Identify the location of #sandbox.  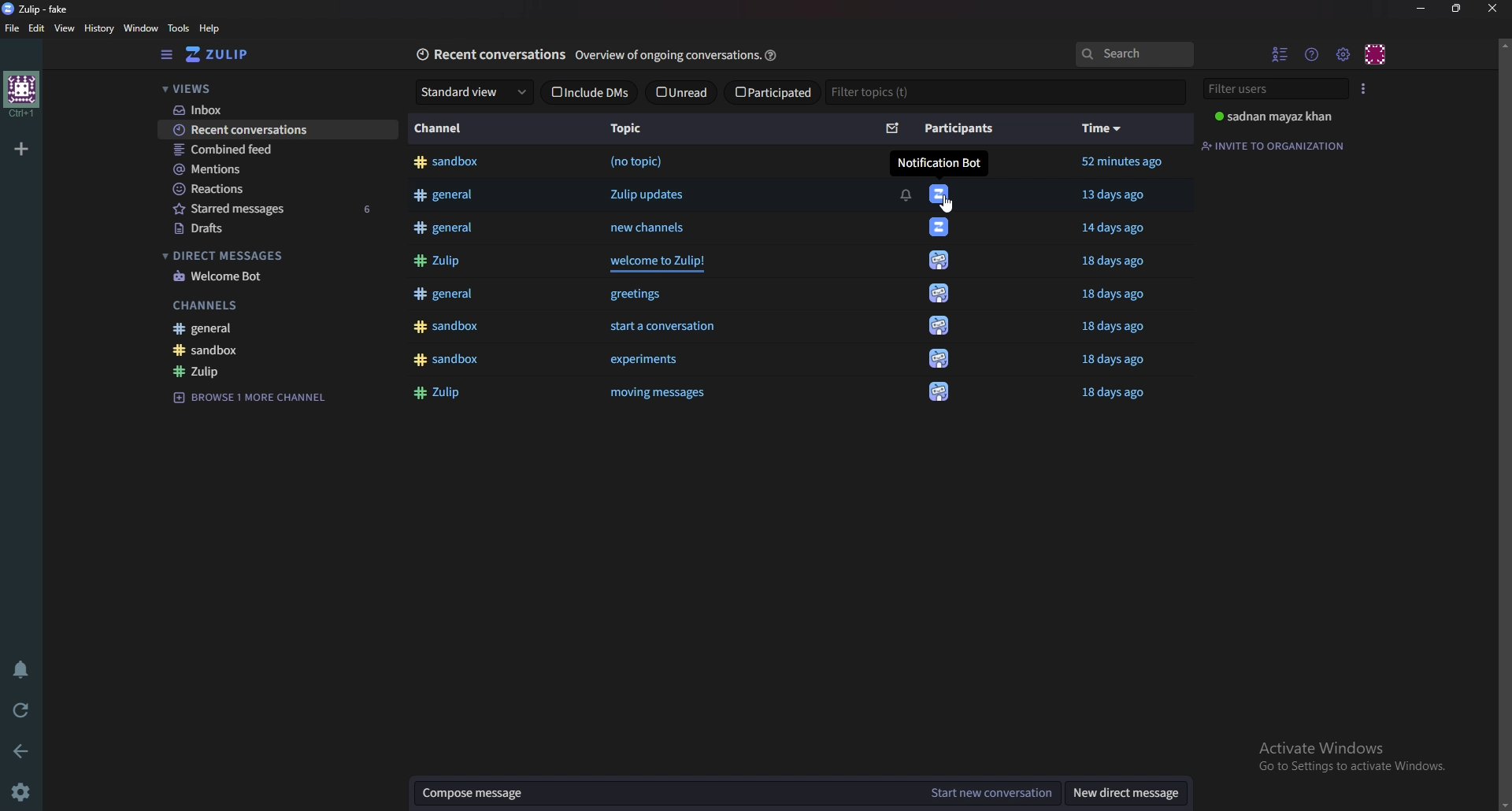
(448, 163).